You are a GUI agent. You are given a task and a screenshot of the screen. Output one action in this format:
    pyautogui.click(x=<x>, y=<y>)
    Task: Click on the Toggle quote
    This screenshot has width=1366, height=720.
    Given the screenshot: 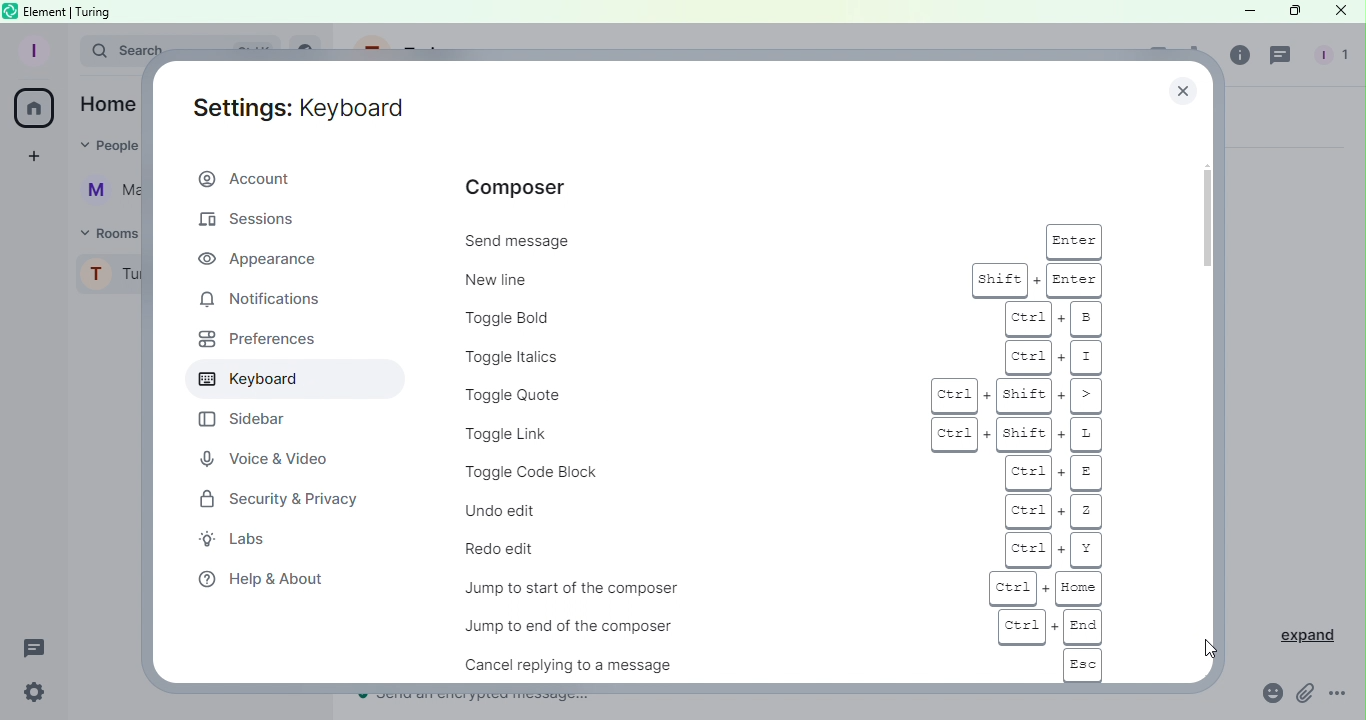 What is the action you would take?
    pyautogui.click(x=677, y=397)
    